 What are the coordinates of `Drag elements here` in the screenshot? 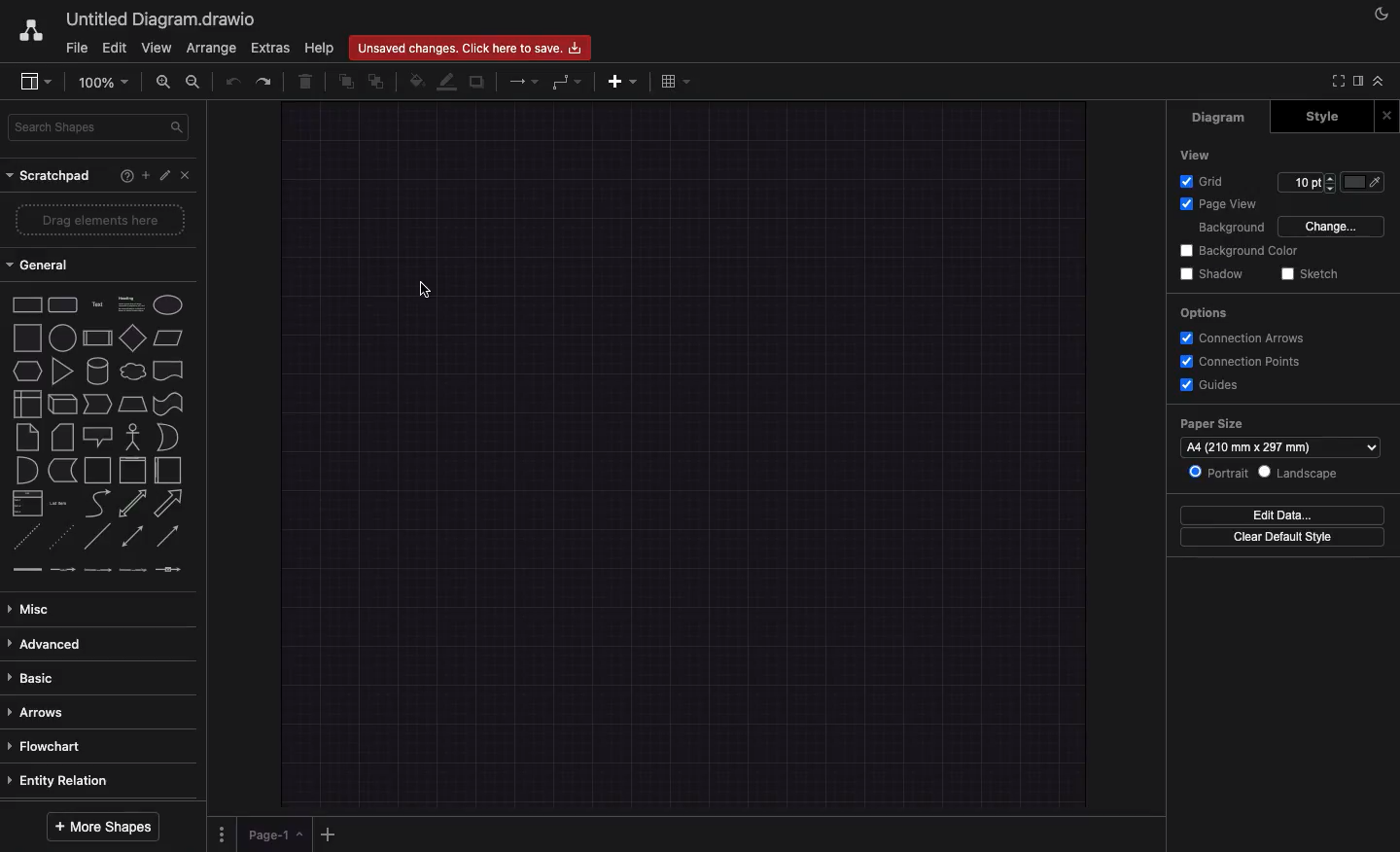 It's located at (100, 220).